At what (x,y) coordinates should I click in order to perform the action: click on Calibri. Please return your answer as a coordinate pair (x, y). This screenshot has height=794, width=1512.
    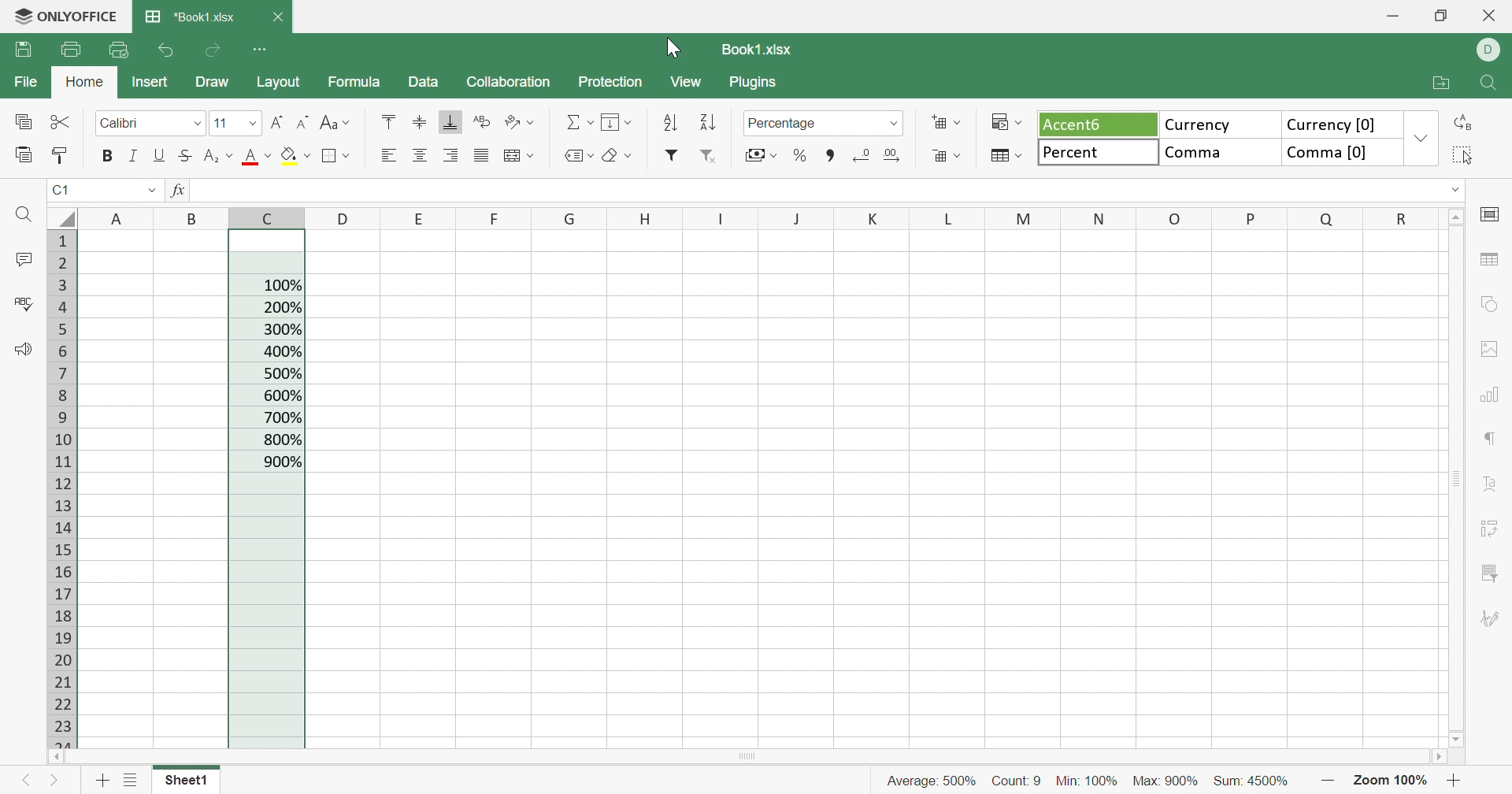
    Looking at the image, I should click on (120, 123).